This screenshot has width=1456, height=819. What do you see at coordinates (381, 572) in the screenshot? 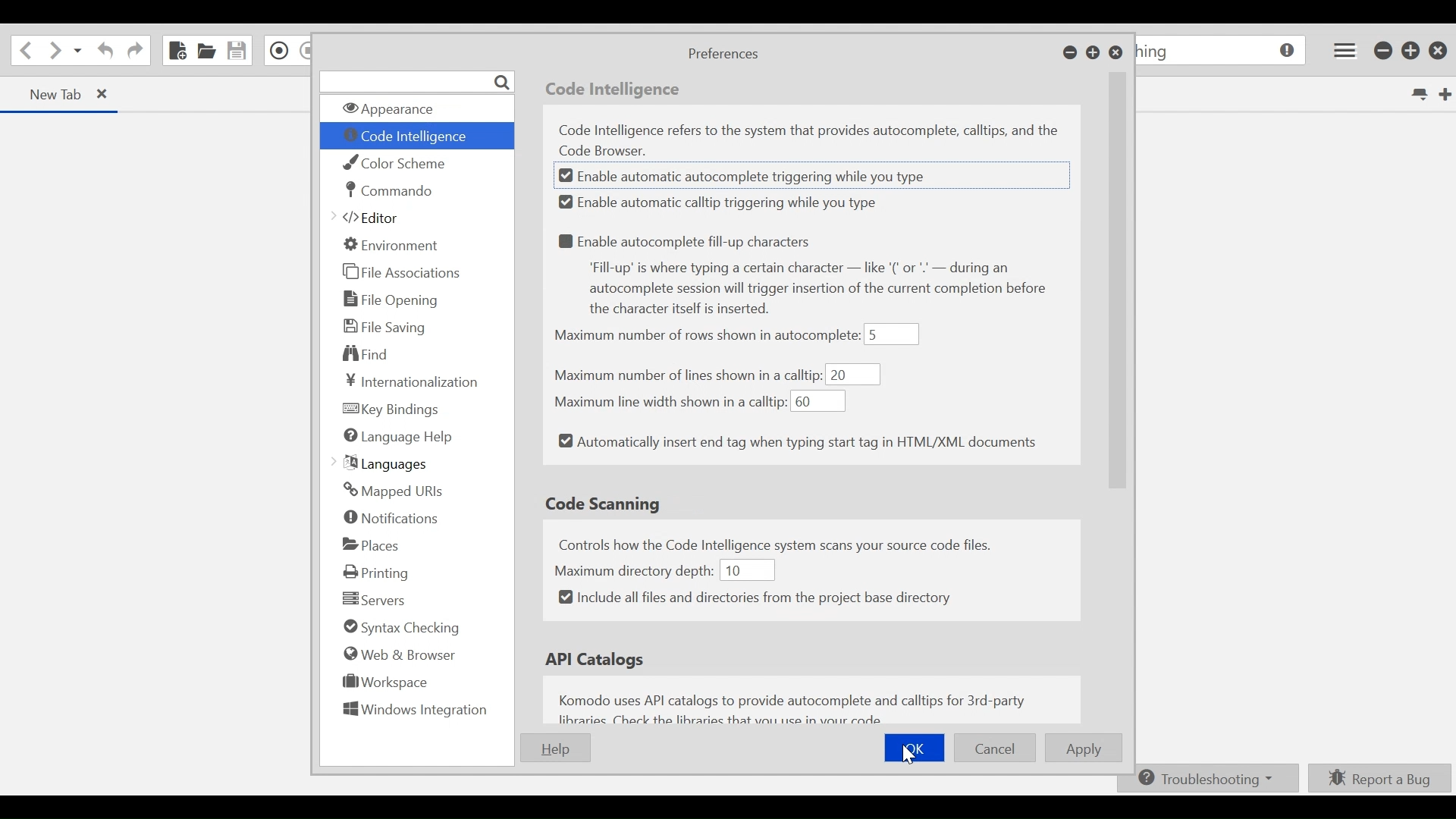
I see `Printing` at bounding box center [381, 572].